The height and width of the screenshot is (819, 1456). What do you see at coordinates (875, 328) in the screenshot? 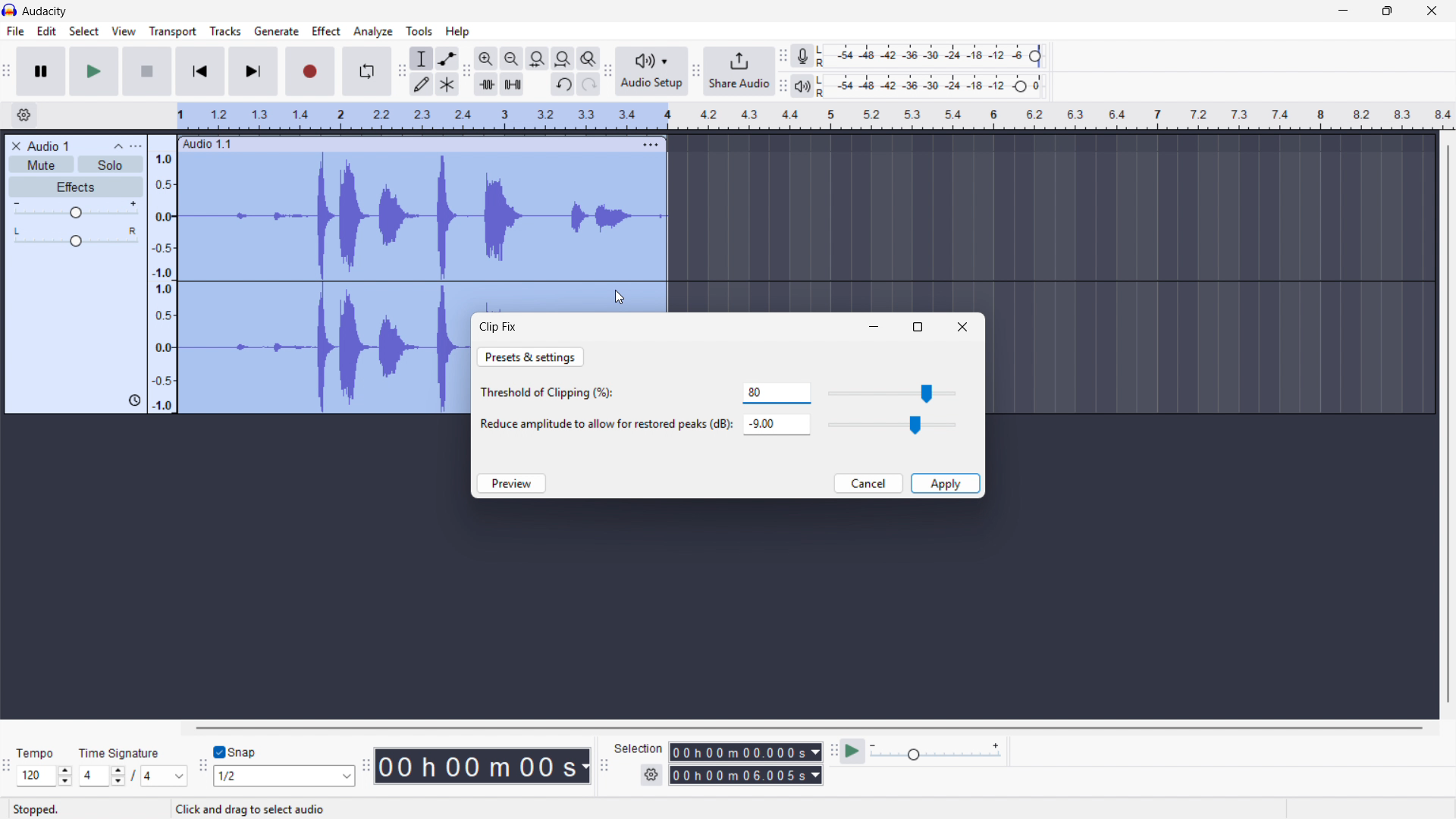
I see `minimise ` at bounding box center [875, 328].